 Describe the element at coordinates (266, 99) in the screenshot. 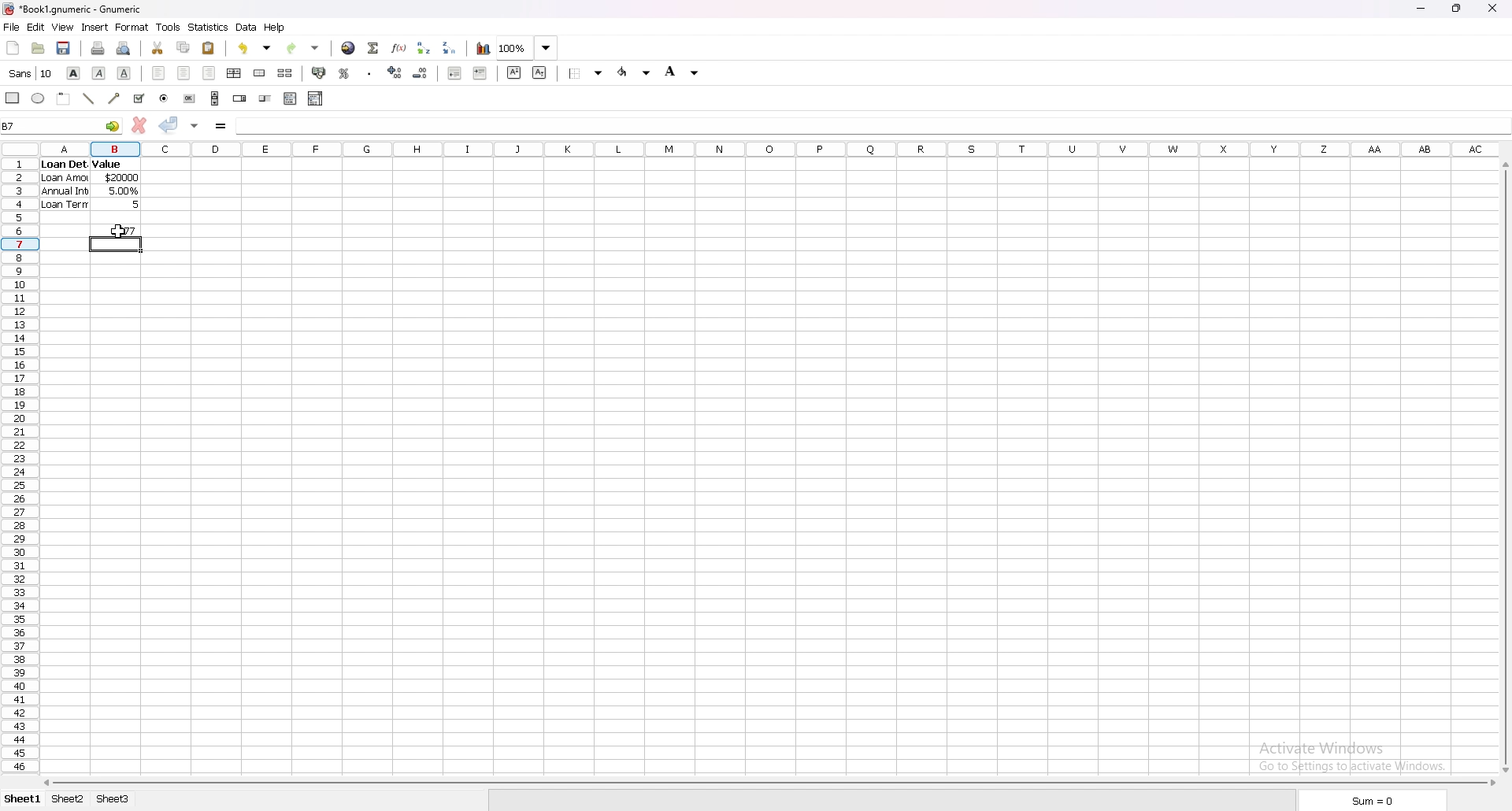

I see `slider` at that location.